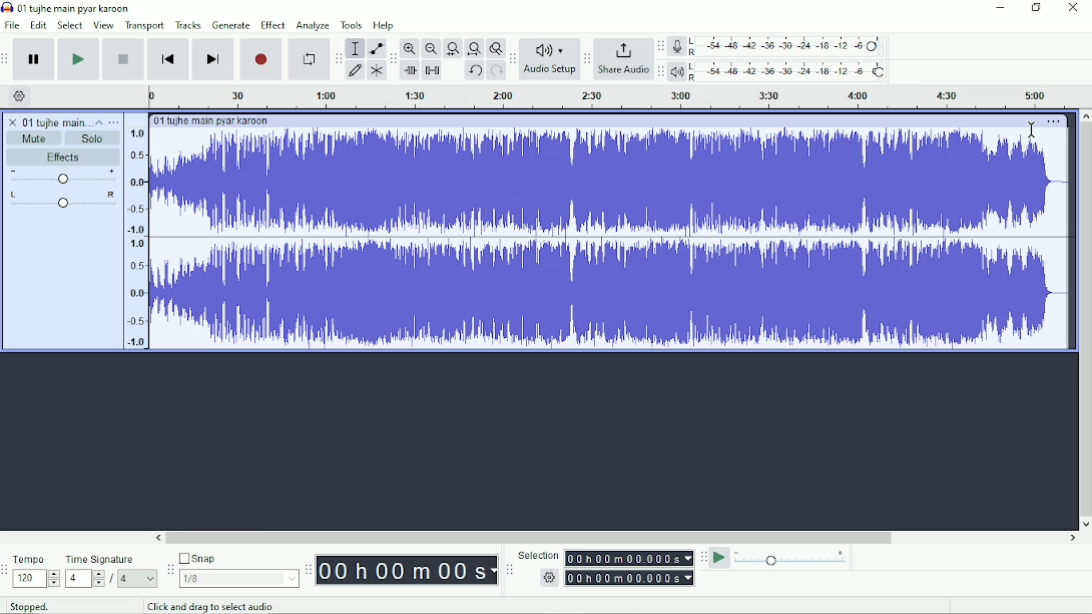  What do you see at coordinates (78, 59) in the screenshot?
I see `Play` at bounding box center [78, 59].